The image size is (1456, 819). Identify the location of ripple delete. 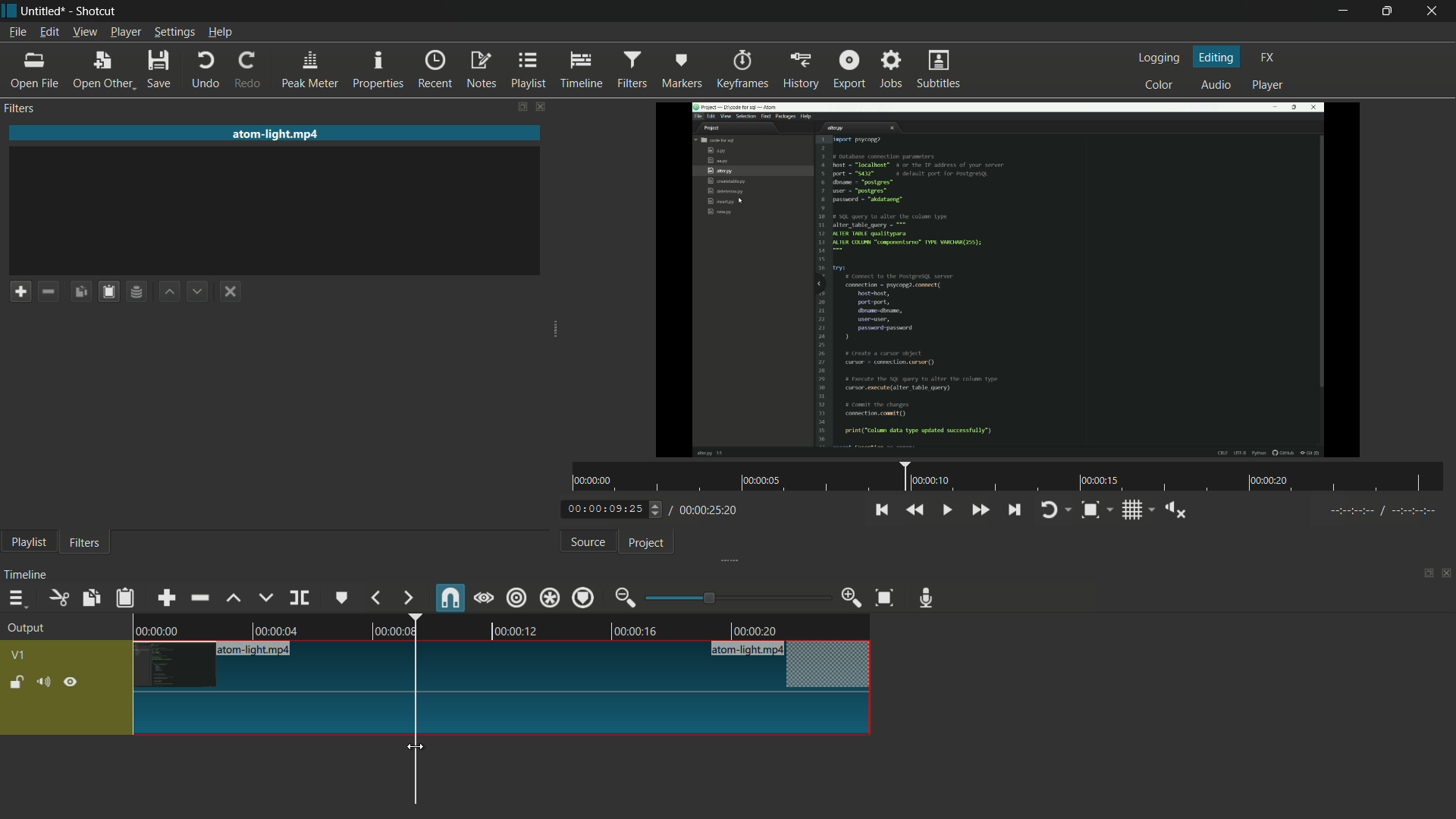
(199, 597).